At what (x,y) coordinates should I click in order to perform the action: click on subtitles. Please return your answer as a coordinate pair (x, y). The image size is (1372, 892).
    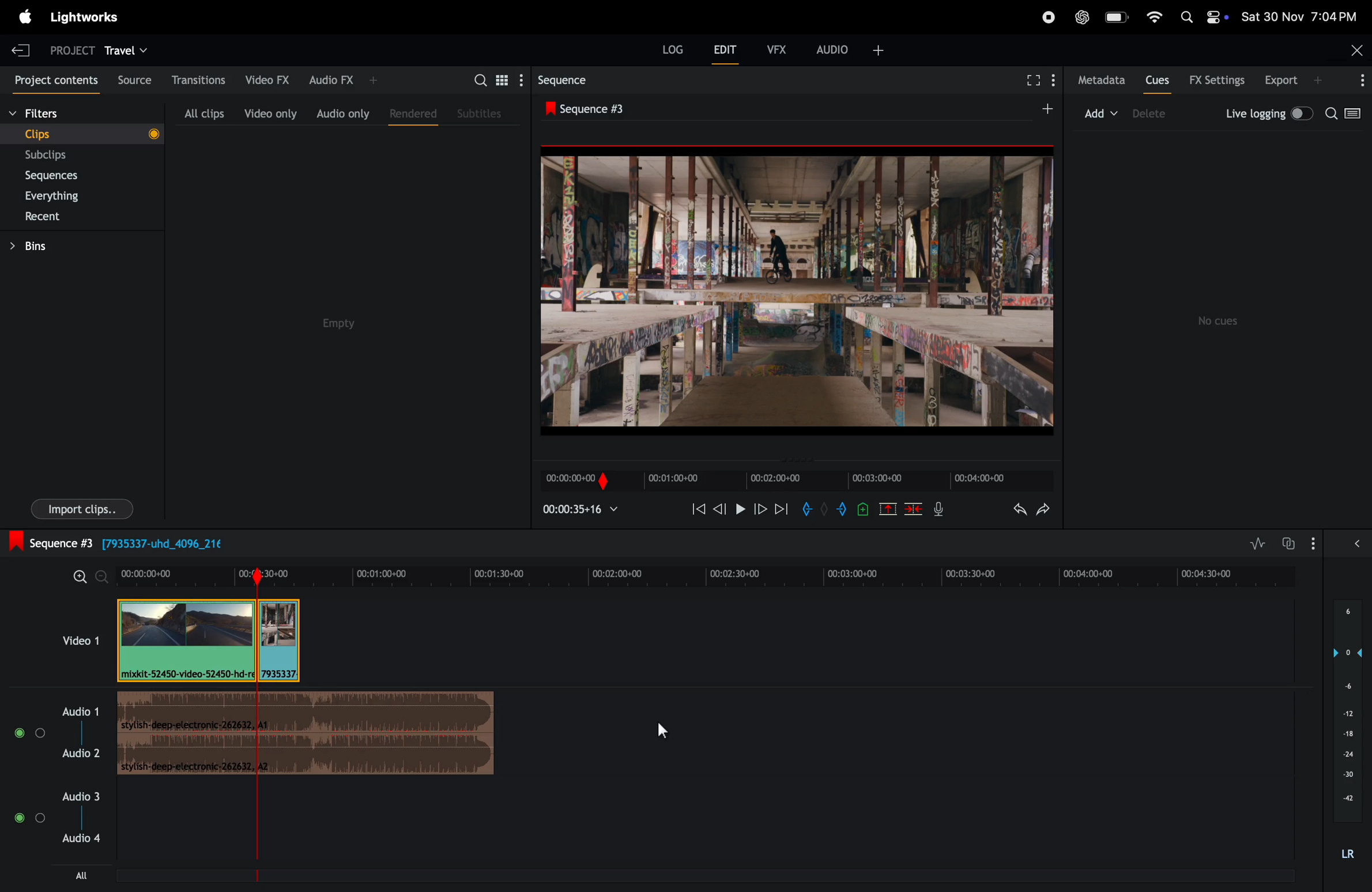
    Looking at the image, I should click on (482, 114).